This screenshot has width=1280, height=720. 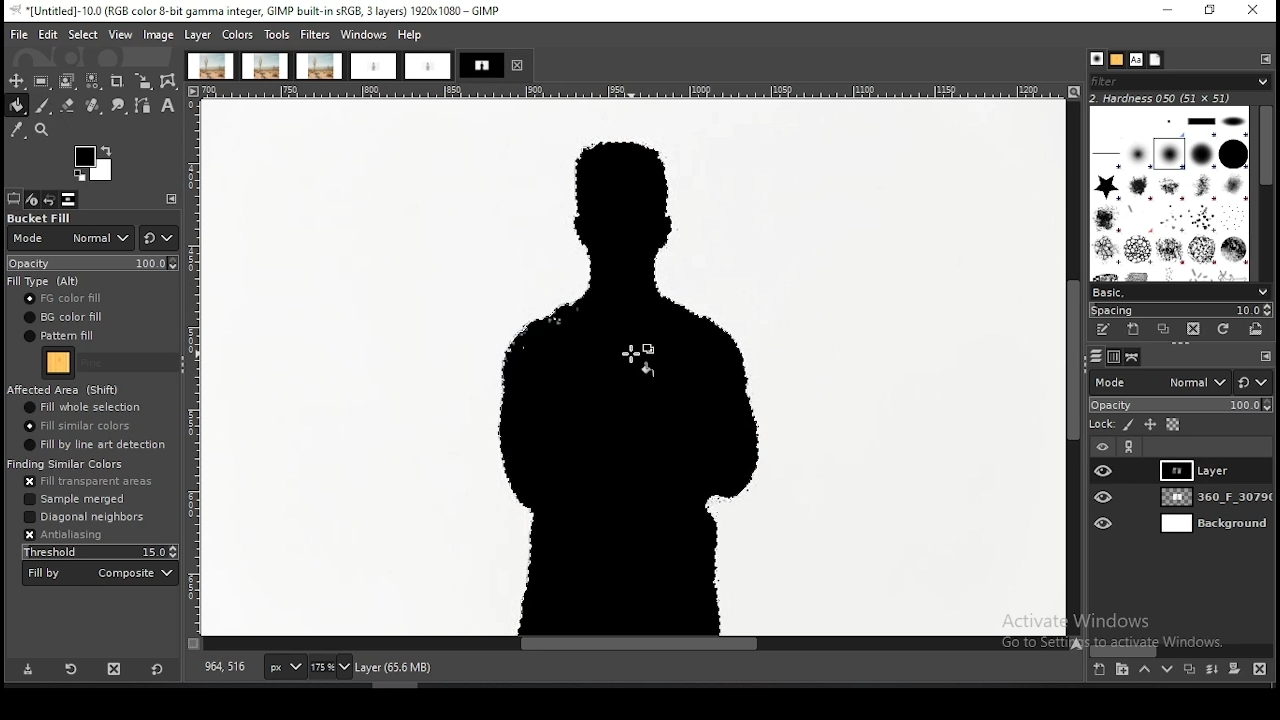 What do you see at coordinates (284, 667) in the screenshot?
I see `units` at bounding box center [284, 667].